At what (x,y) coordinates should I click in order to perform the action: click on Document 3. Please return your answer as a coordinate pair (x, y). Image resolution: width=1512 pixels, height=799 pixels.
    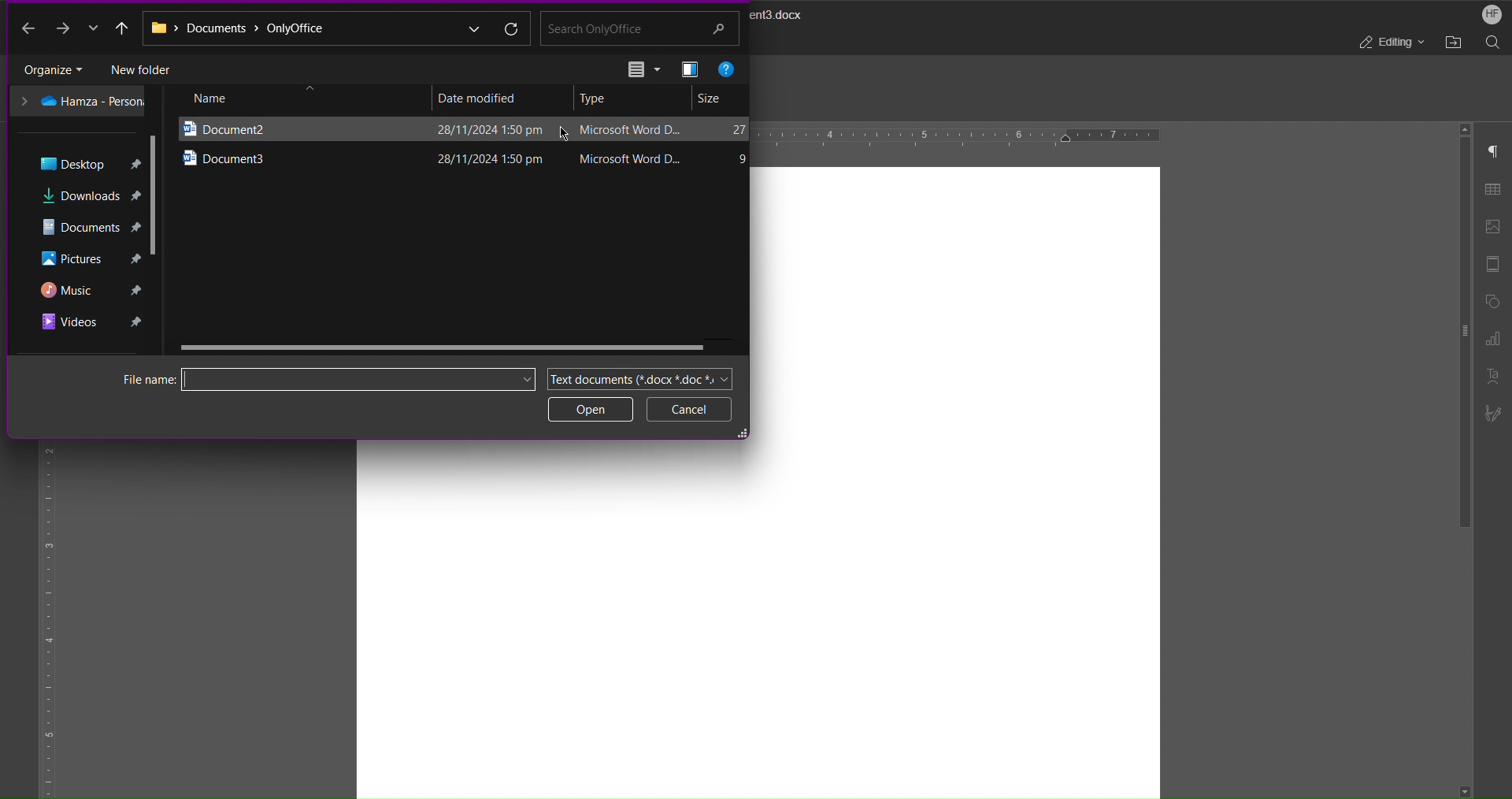
    Looking at the image, I should click on (276, 158).